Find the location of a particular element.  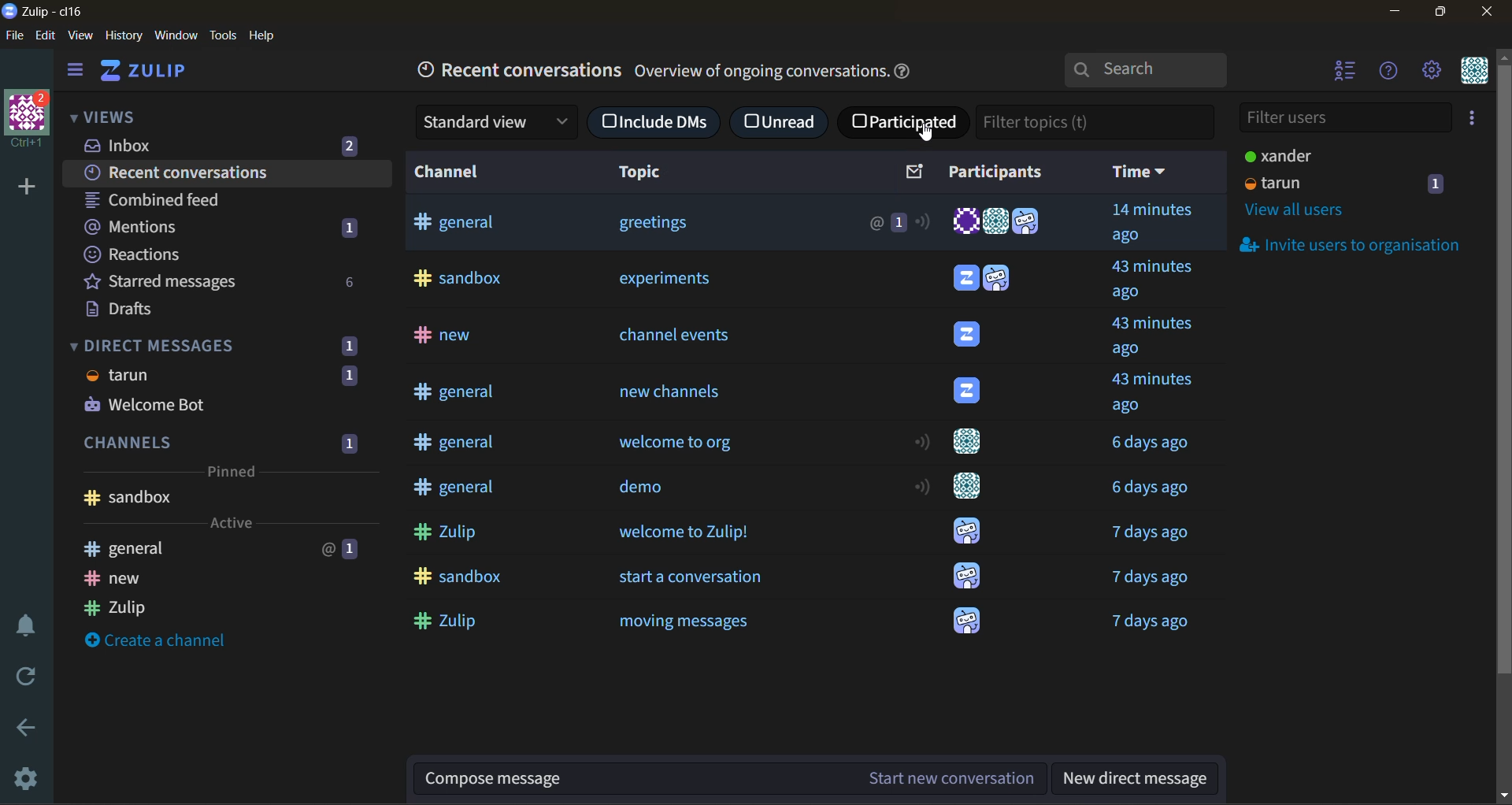

time is located at coordinates (1153, 531).